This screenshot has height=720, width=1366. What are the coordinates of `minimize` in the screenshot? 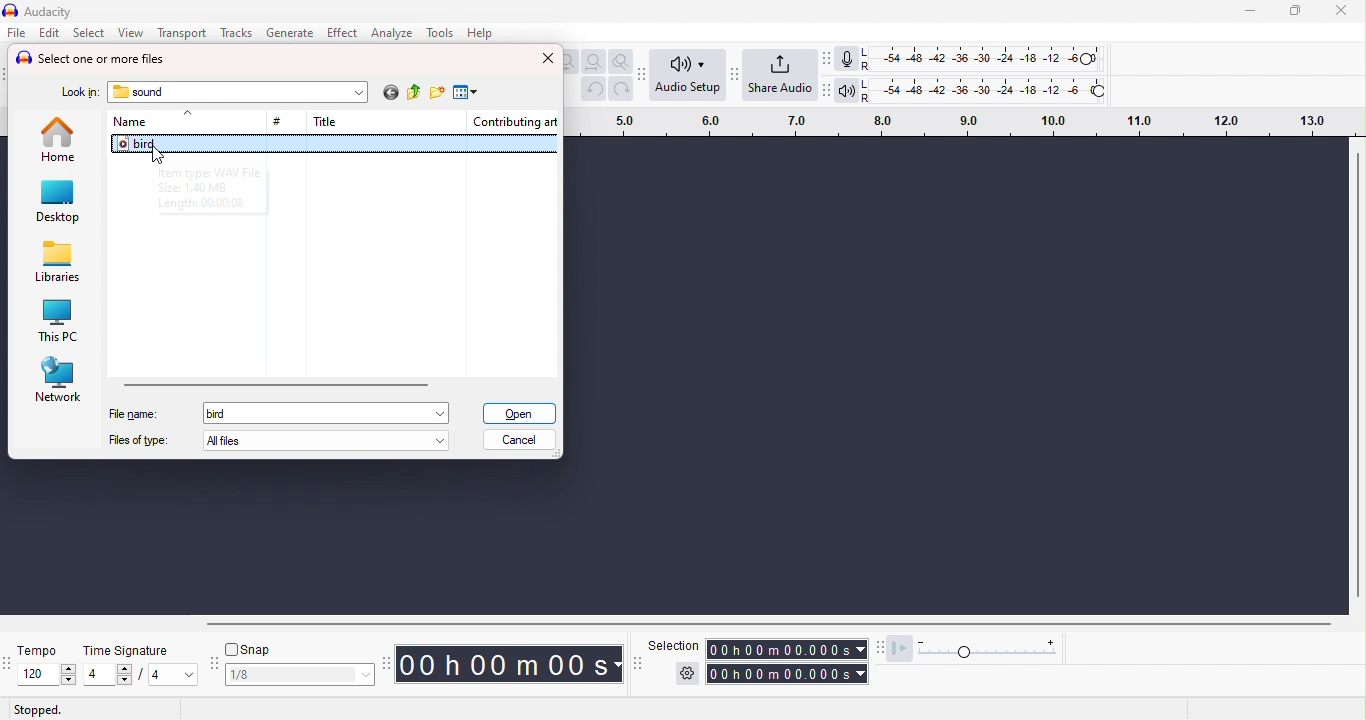 It's located at (1250, 13).